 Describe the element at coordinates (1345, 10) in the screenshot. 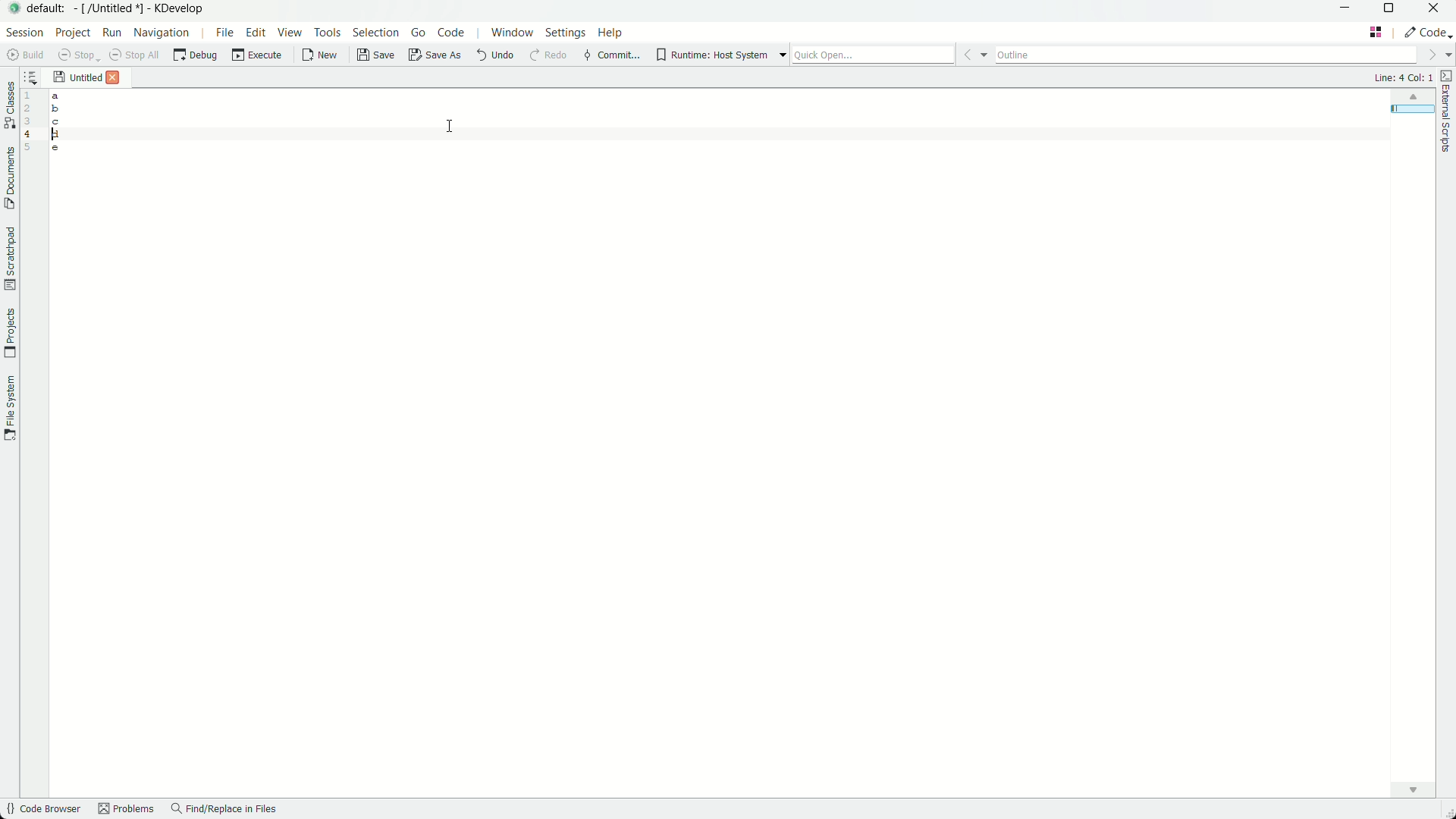

I see `minimize` at that location.